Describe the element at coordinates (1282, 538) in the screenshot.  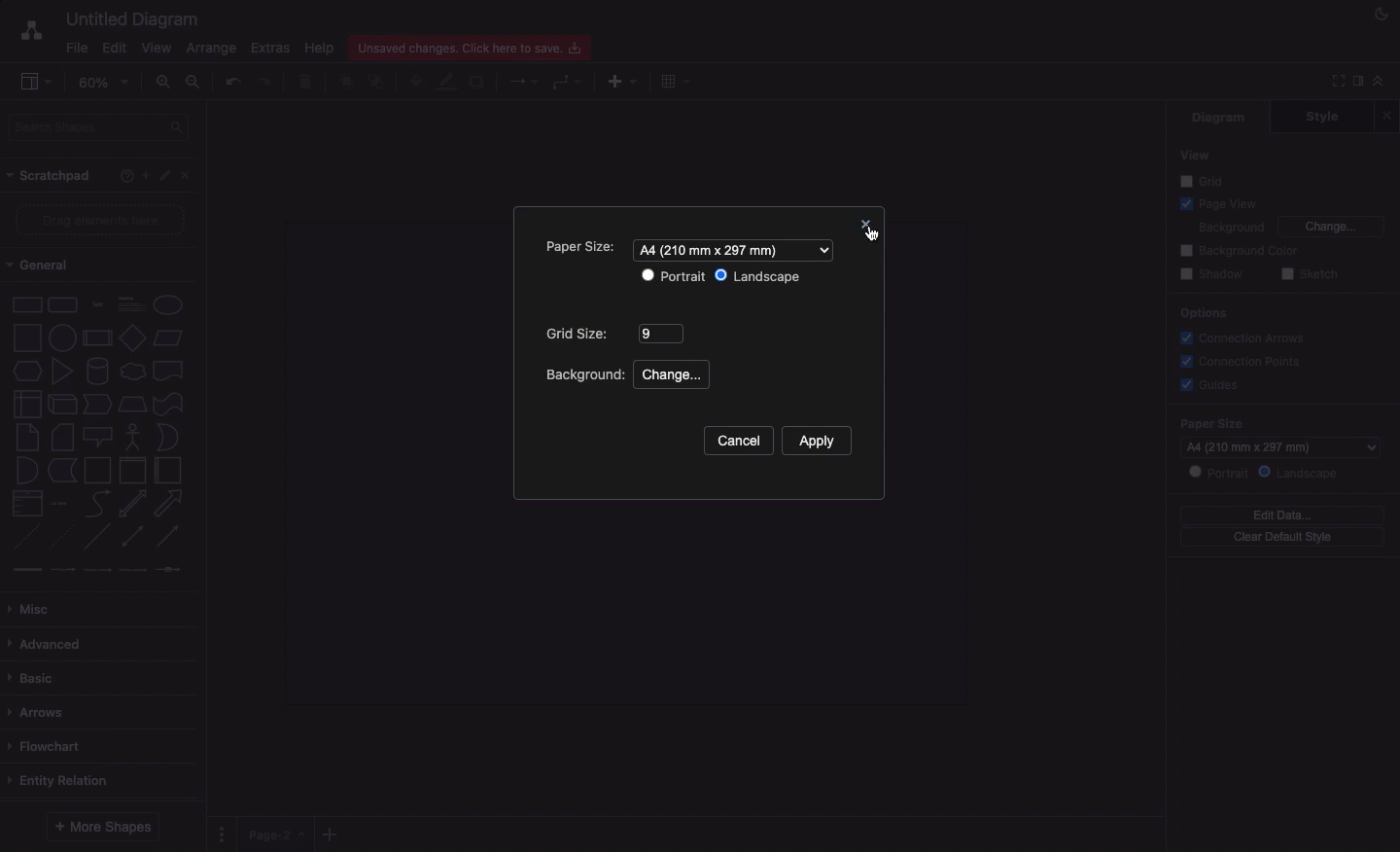
I see `Clear default style` at that location.